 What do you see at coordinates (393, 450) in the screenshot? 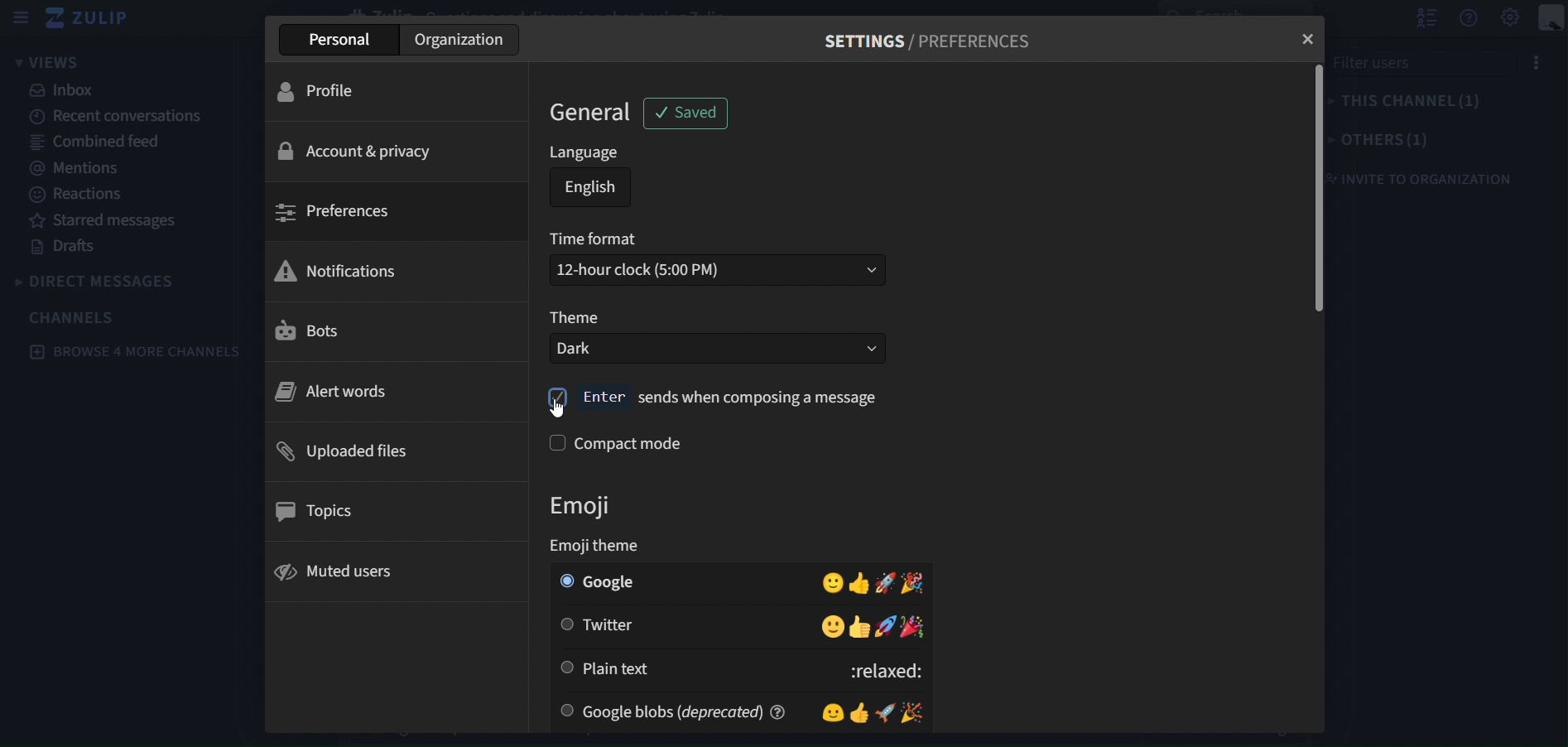
I see `uploaded files` at bounding box center [393, 450].